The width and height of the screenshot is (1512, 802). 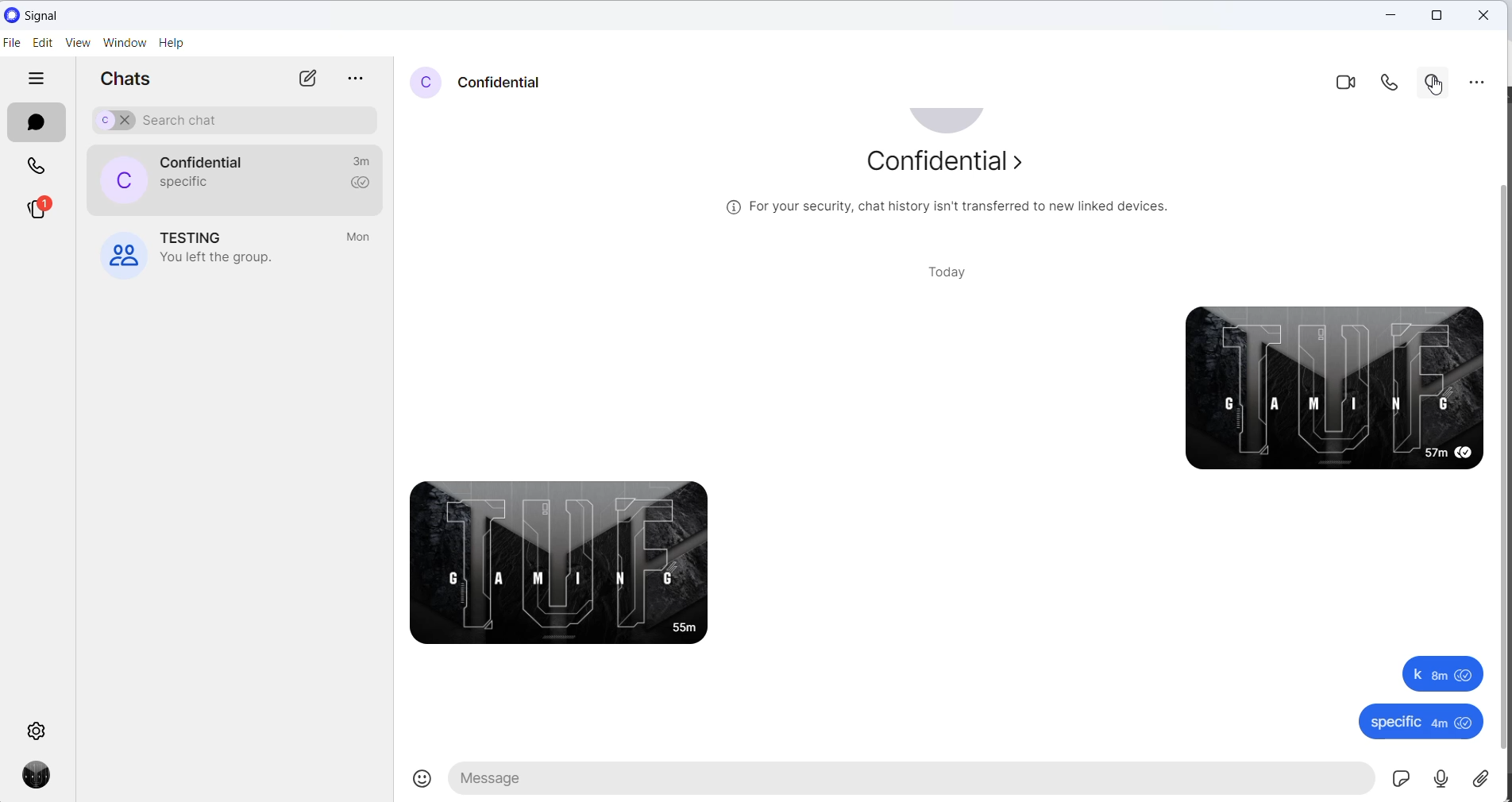 What do you see at coordinates (956, 210) in the screenshot?
I see `security related text` at bounding box center [956, 210].